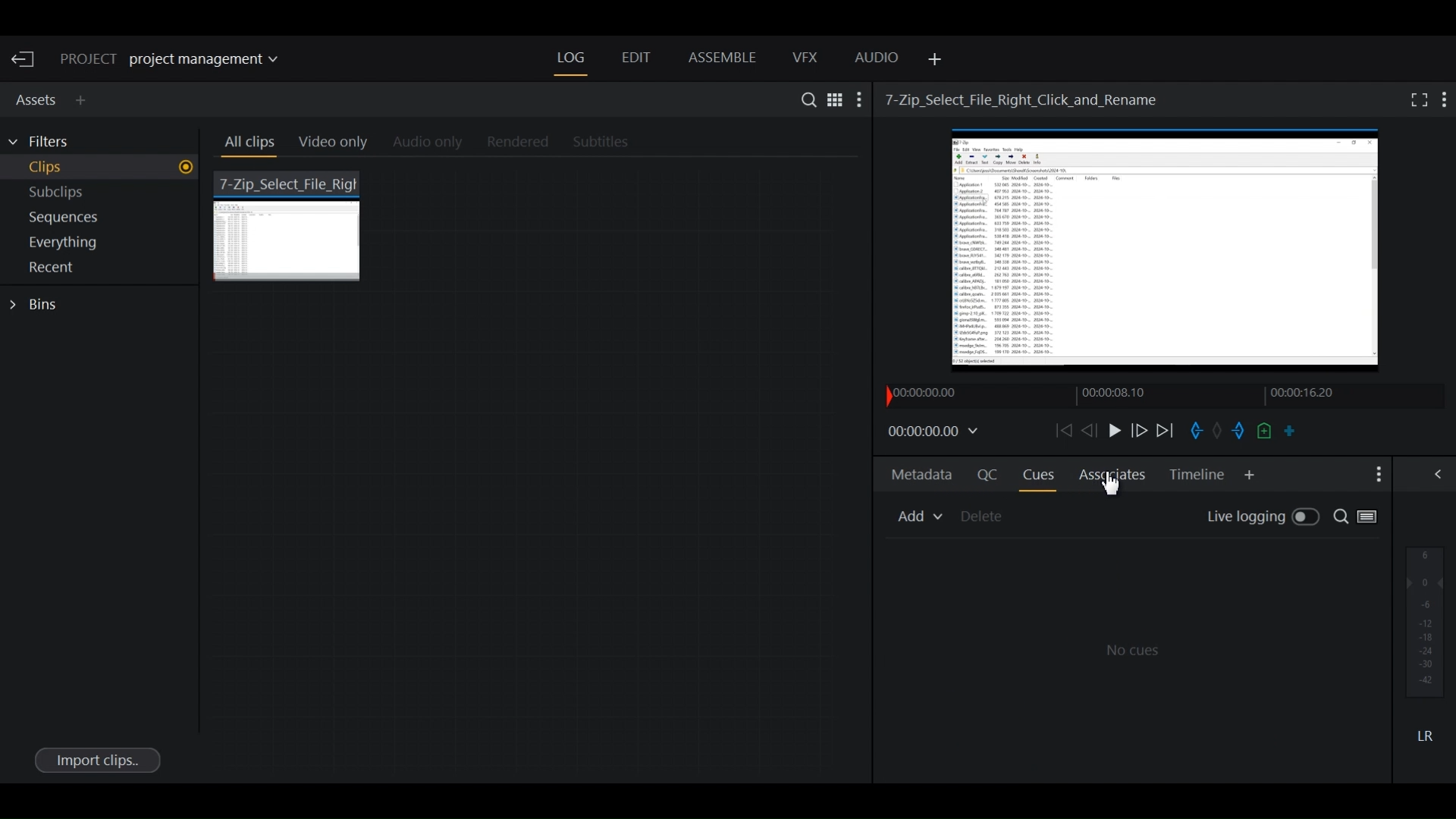 The image size is (1456, 819). I want to click on Log, so click(571, 58).